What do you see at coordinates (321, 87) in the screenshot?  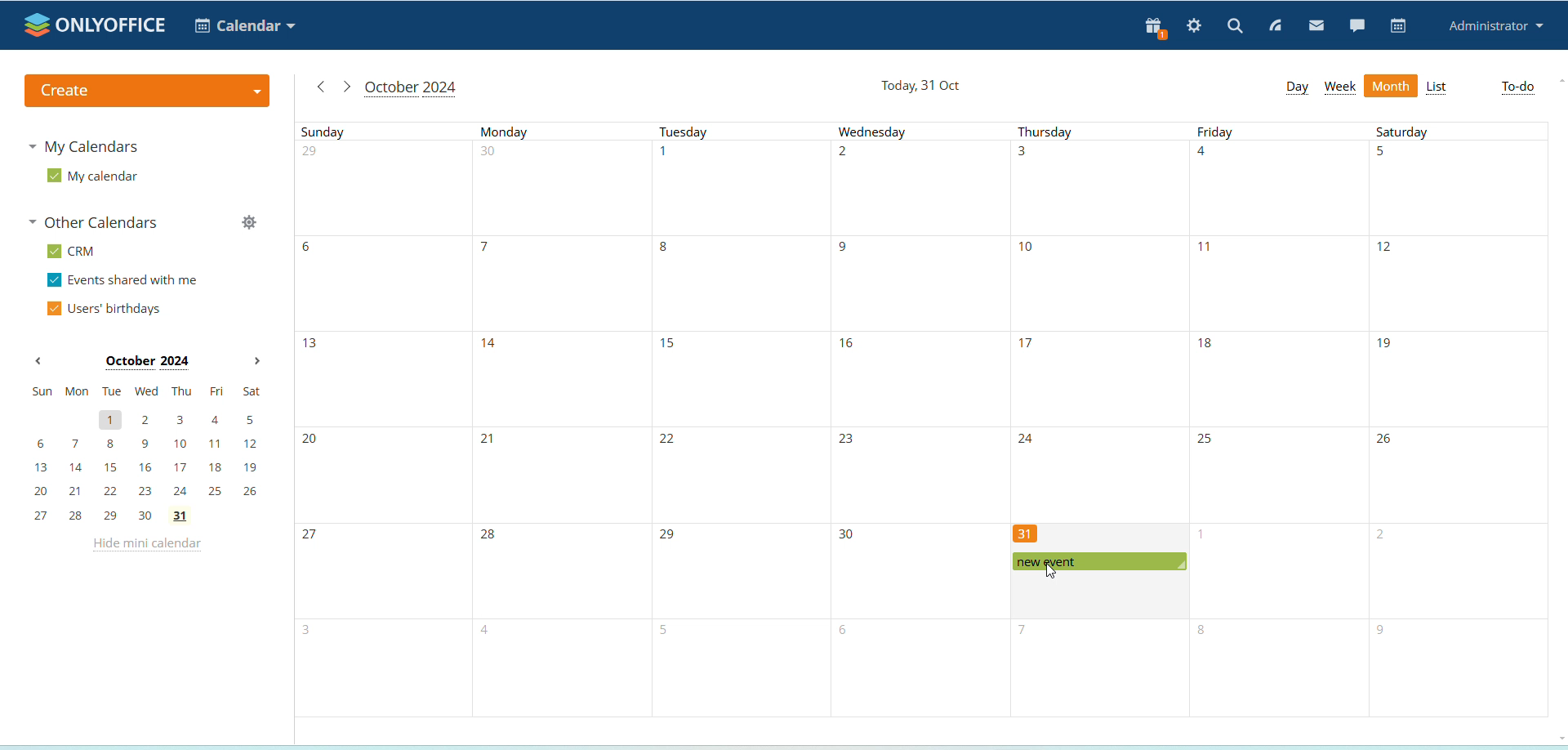 I see `go to previous month` at bounding box center [321, 87].